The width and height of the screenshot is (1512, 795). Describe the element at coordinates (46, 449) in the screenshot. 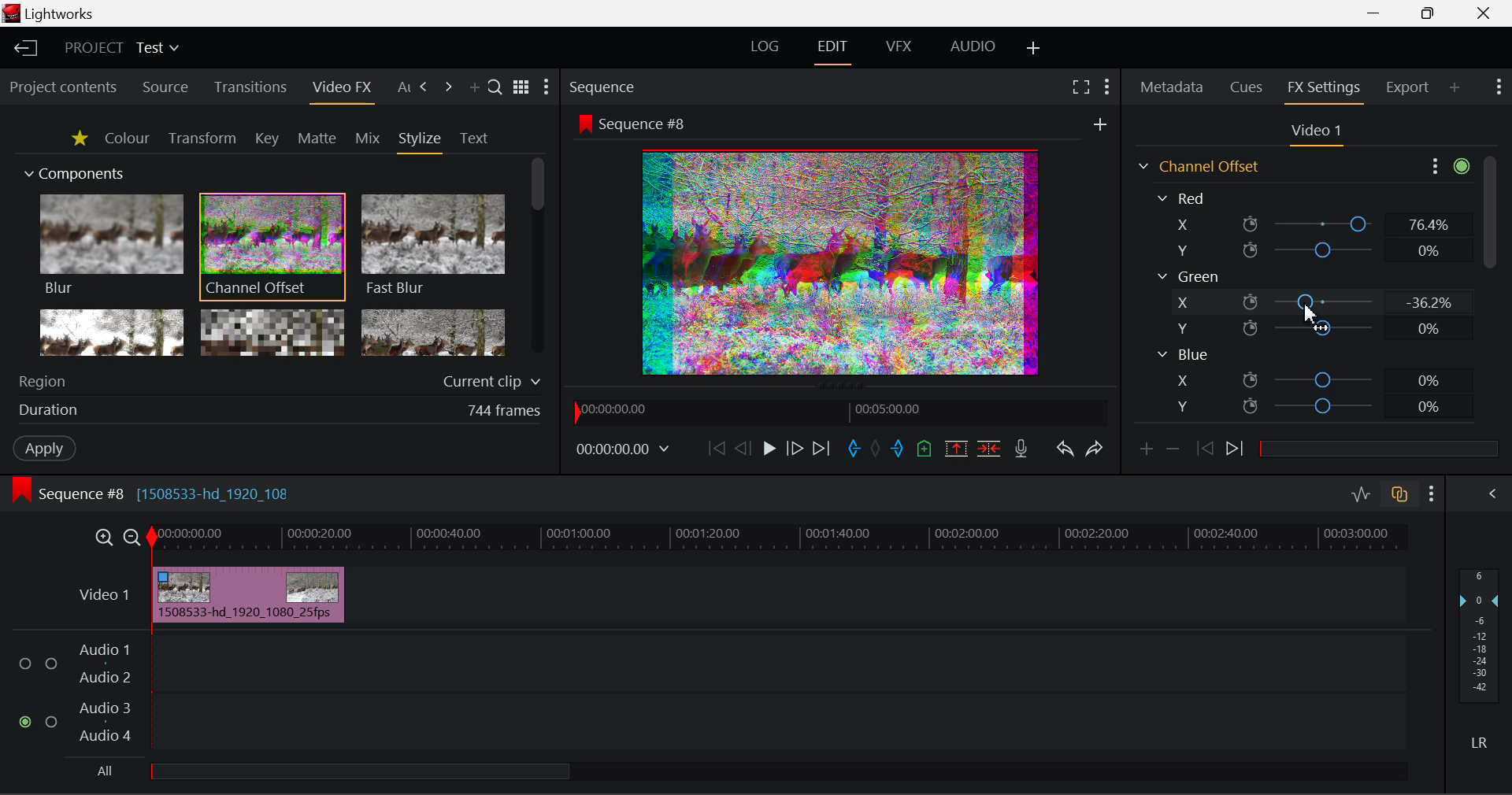

I see `Apply` at that location.